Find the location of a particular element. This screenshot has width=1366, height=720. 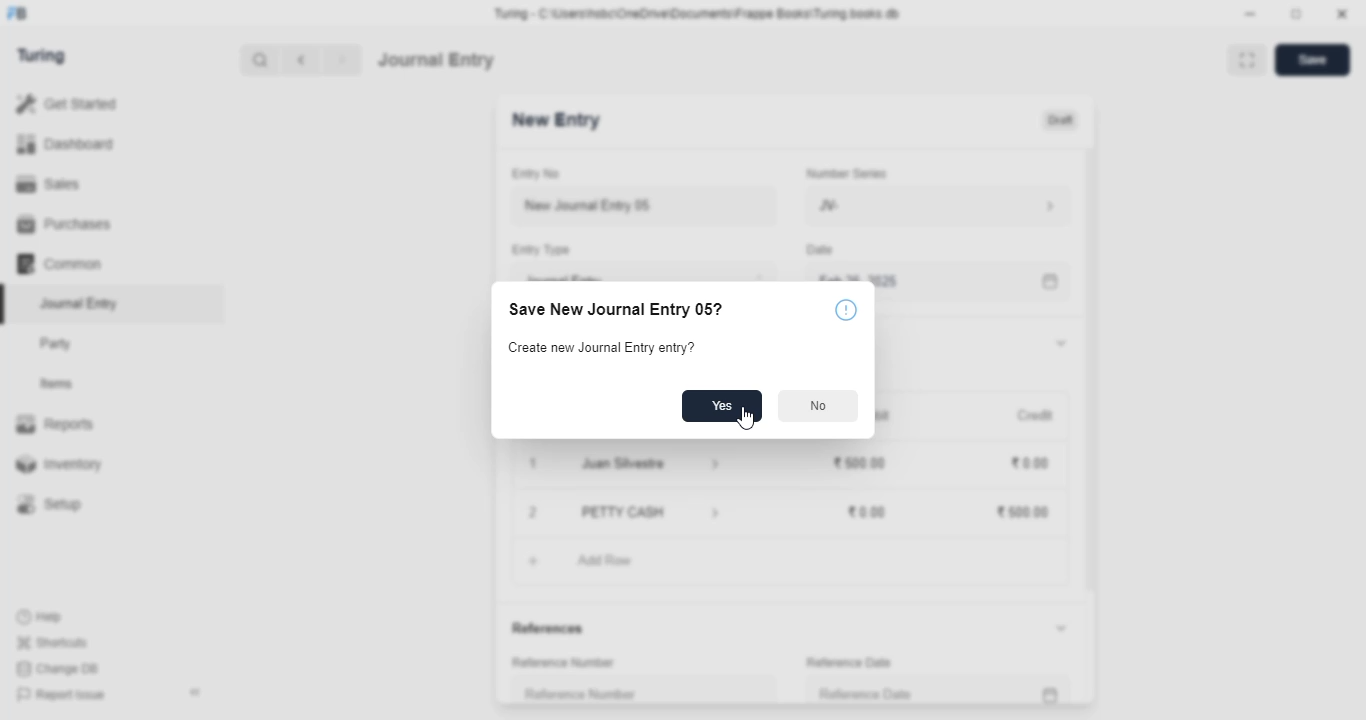

add row is located at coordinates (605, 561).